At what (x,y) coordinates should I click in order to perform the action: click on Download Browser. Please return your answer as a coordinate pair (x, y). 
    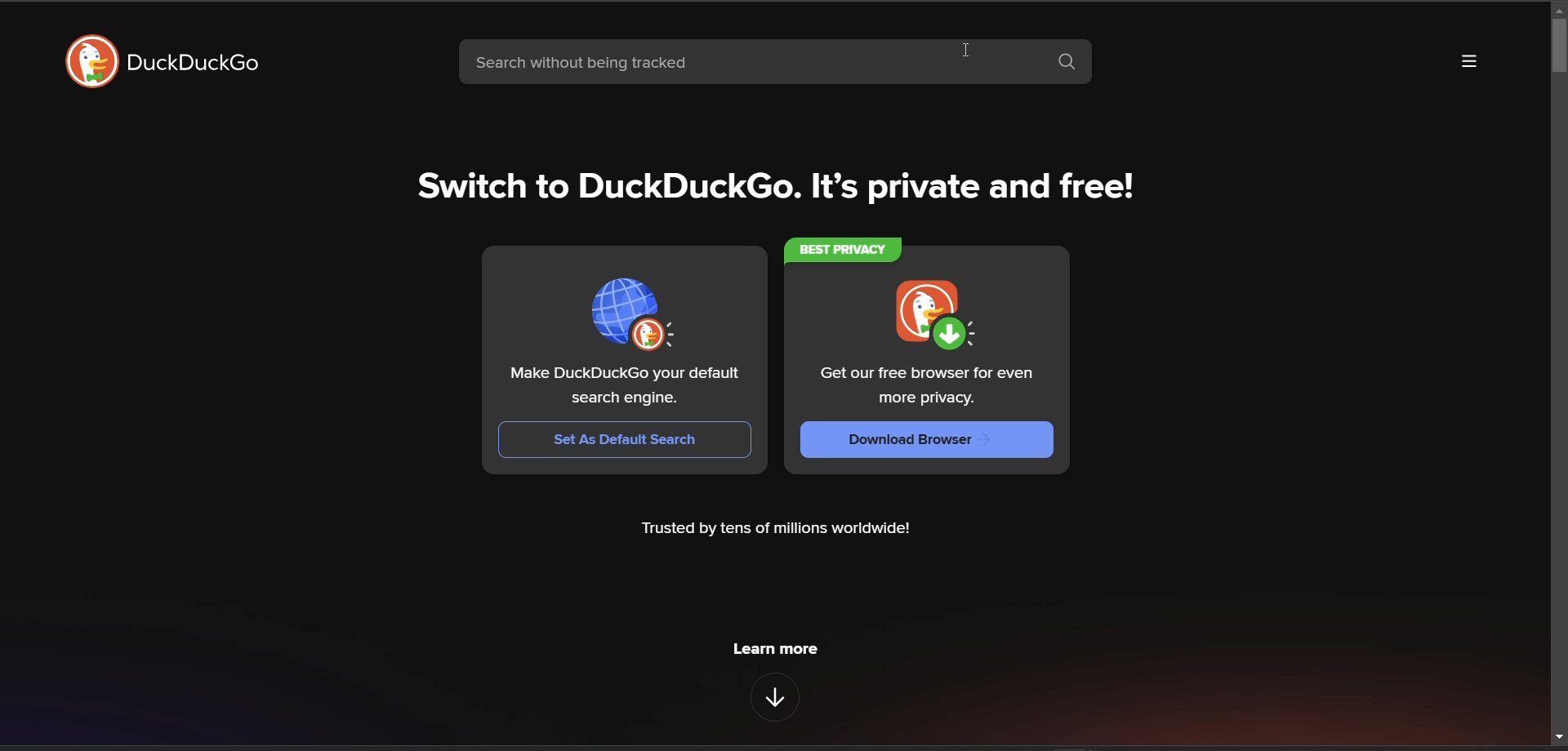
    Looking at the image, I should click on (926, 440).